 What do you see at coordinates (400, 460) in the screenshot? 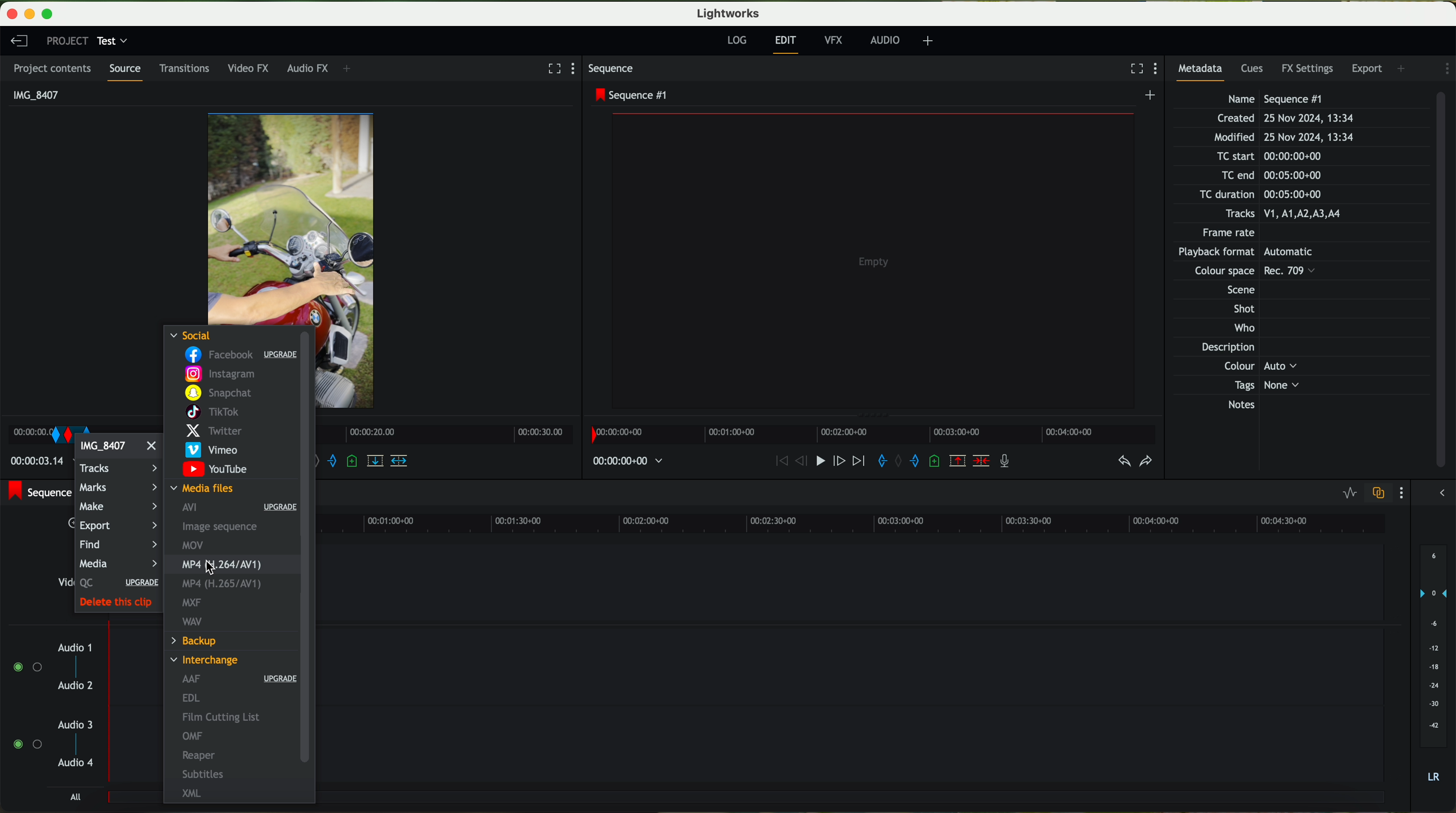
I see `insert into the target sequence` at bounding box center [400, 460].